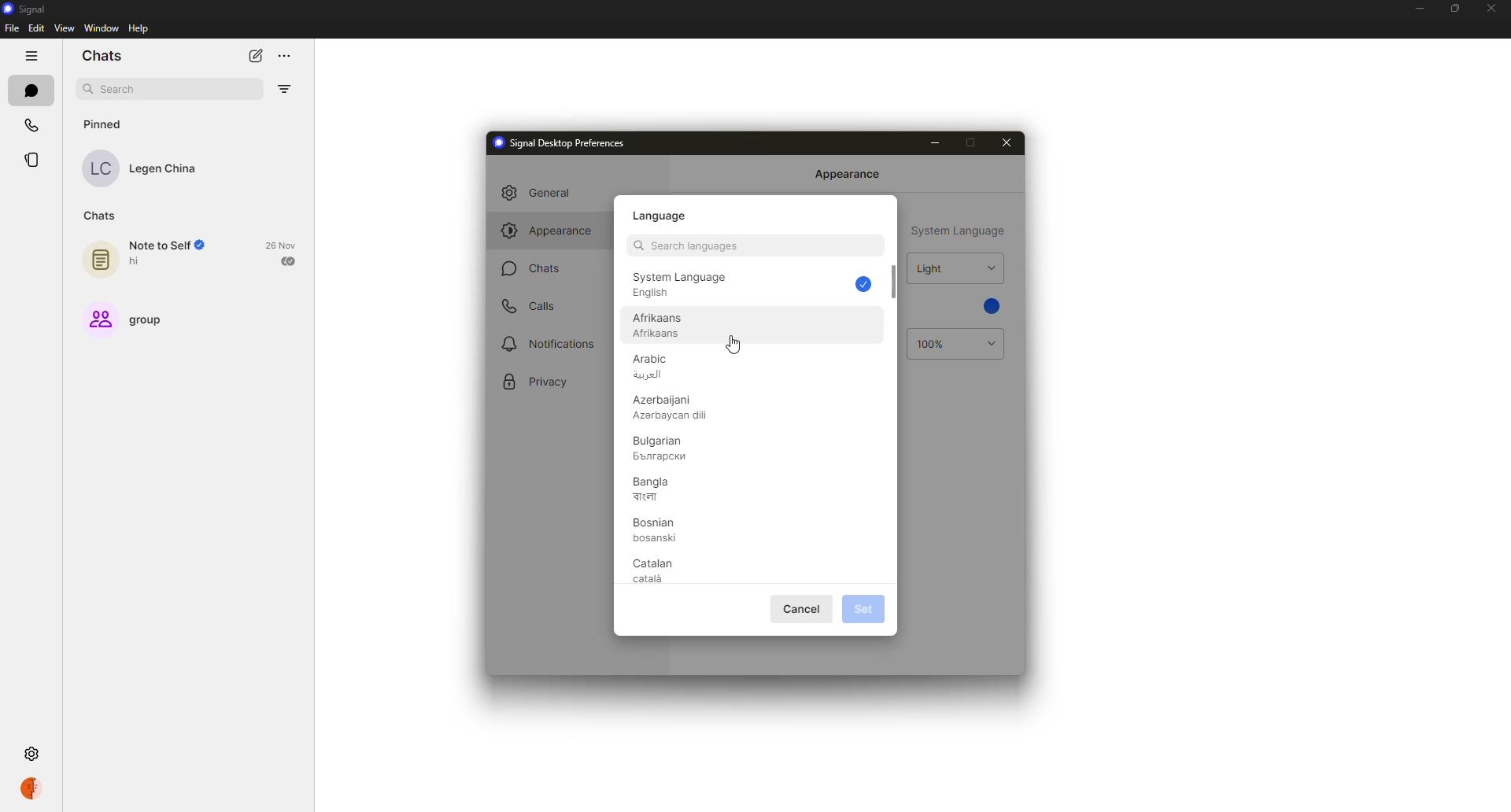 This screenshot has width=1511, height=812. I want to click on edit, so click(36, 28).